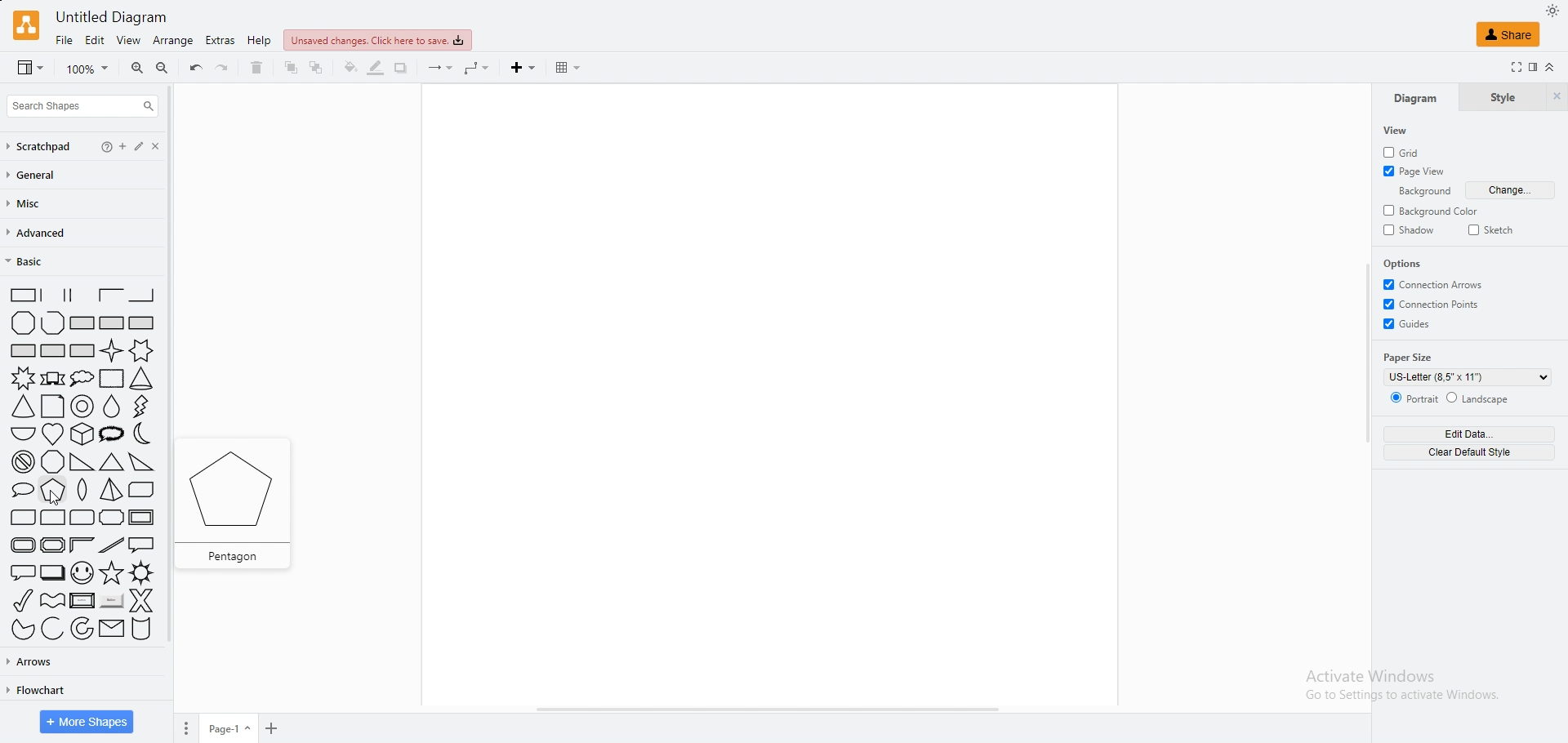  Describe the element at coordinates (24, 407) in the screenshot. I see `cone (adjustable)` at that location.